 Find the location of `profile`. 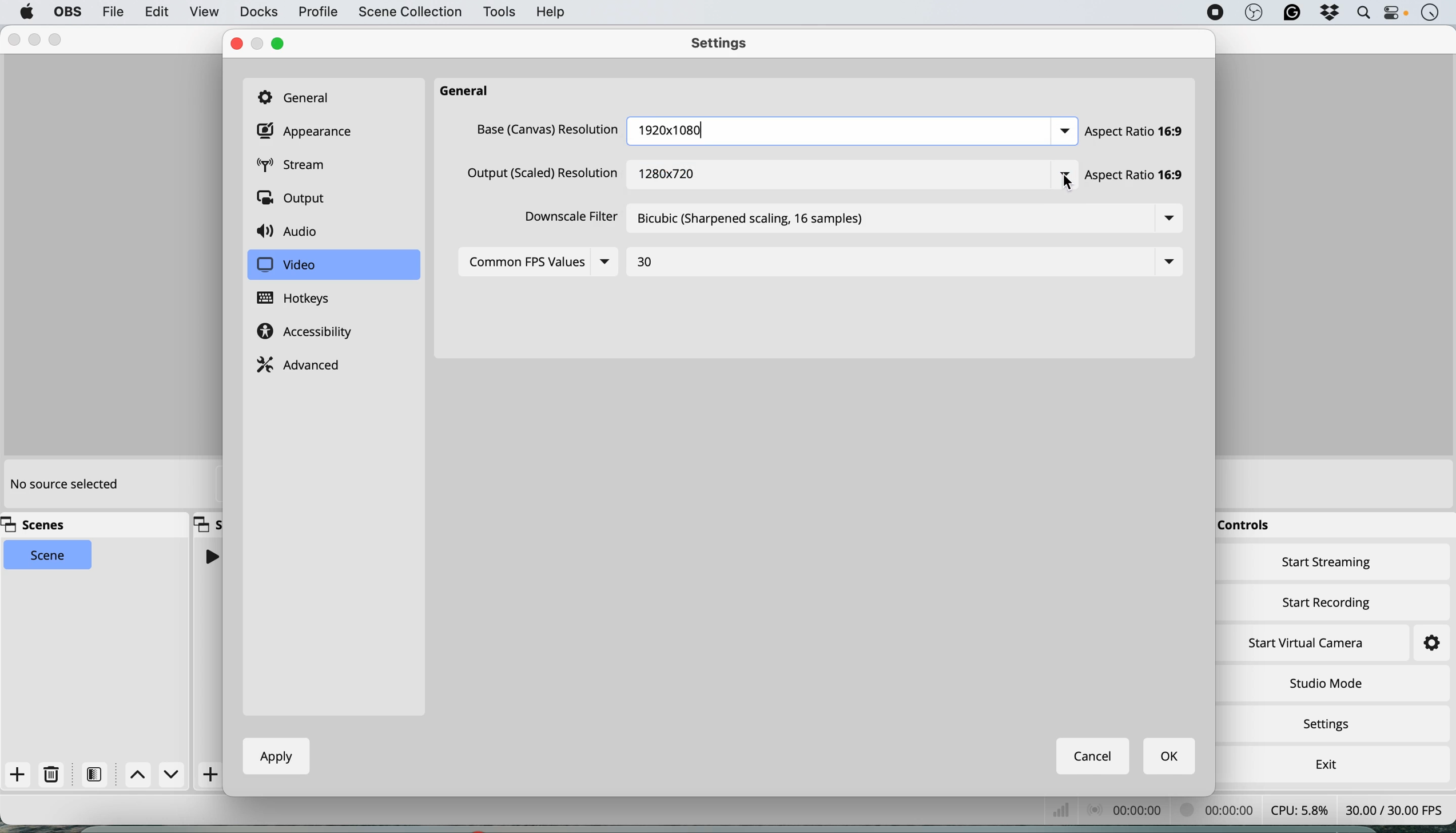

profile is located at coordinates (317, 13).